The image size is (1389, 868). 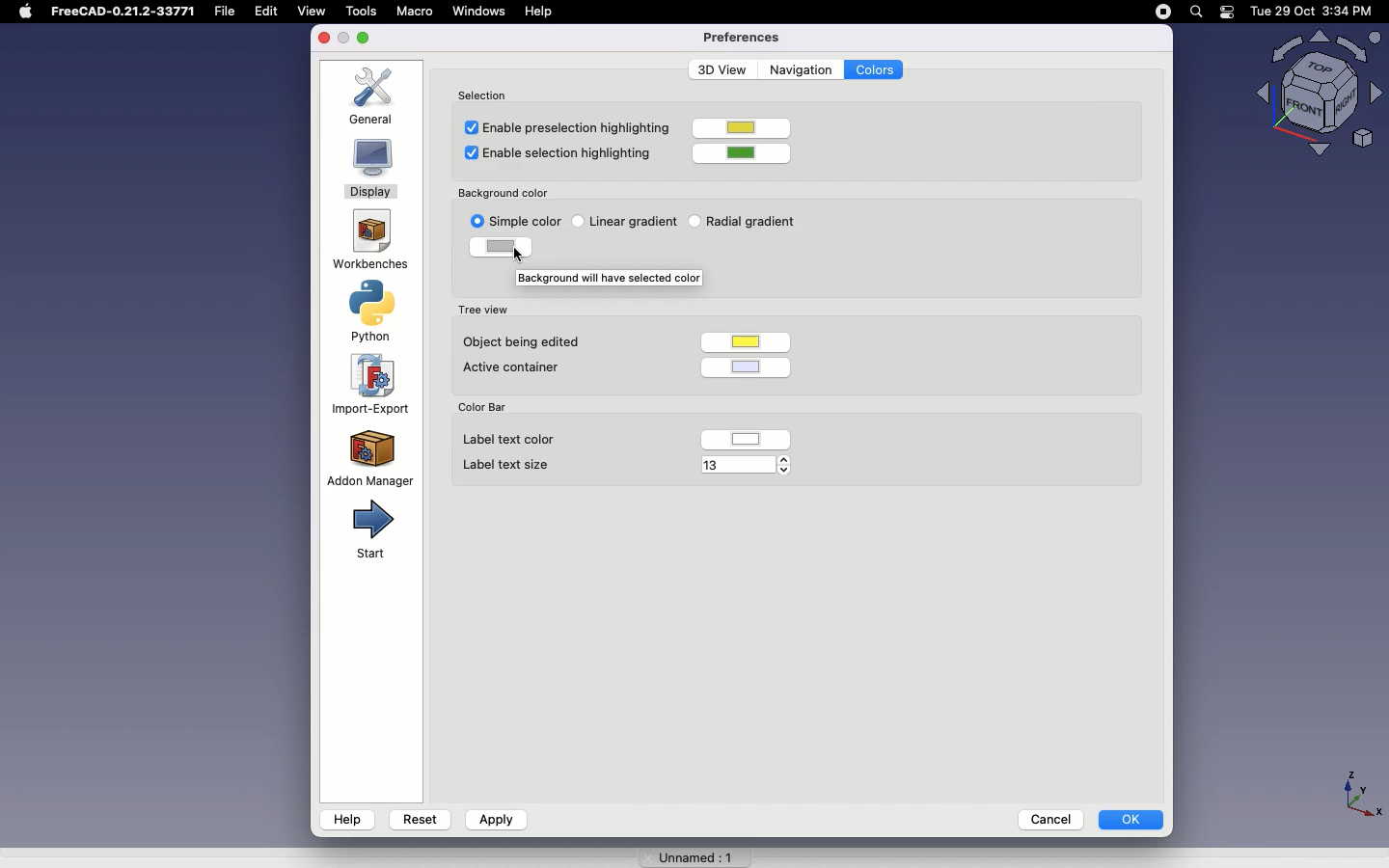 What do you see at coordinates (734, 464) in the screenshot?
I see `13` at bounding box center [734, 464].